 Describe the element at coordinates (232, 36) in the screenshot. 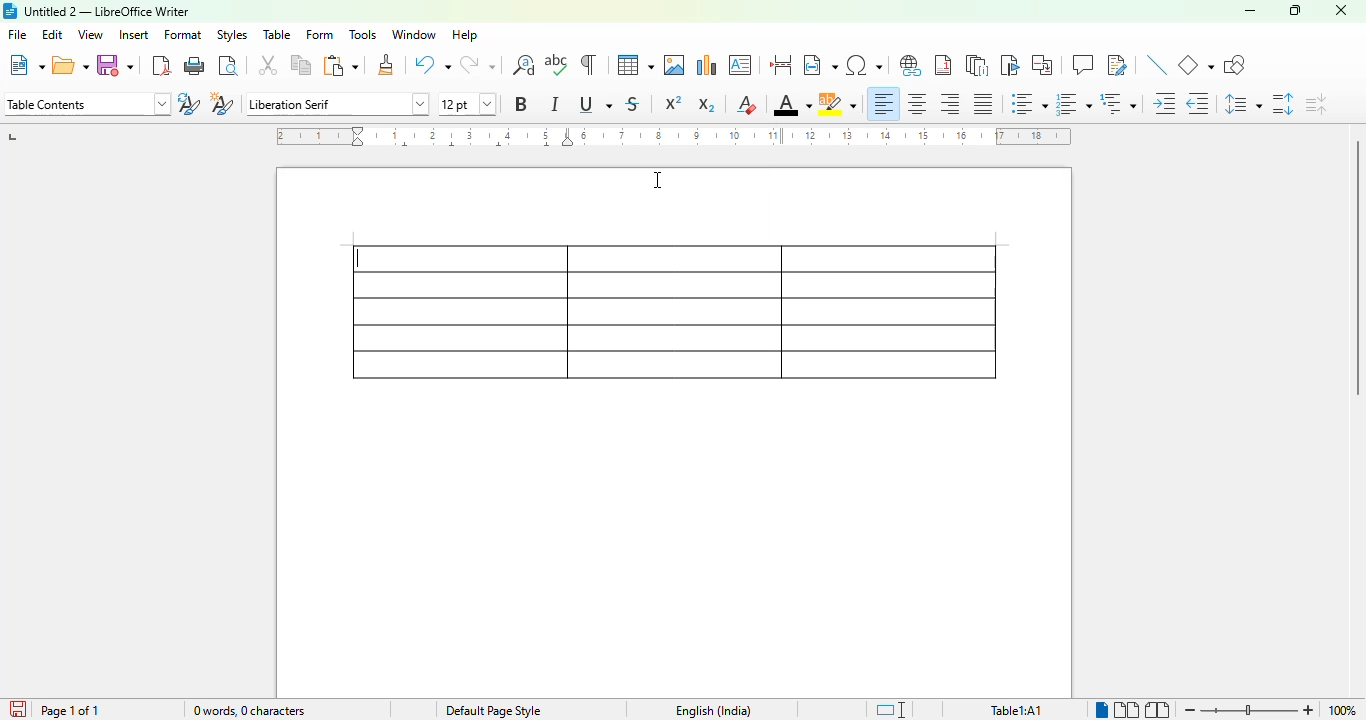

I see `styles` at that location.